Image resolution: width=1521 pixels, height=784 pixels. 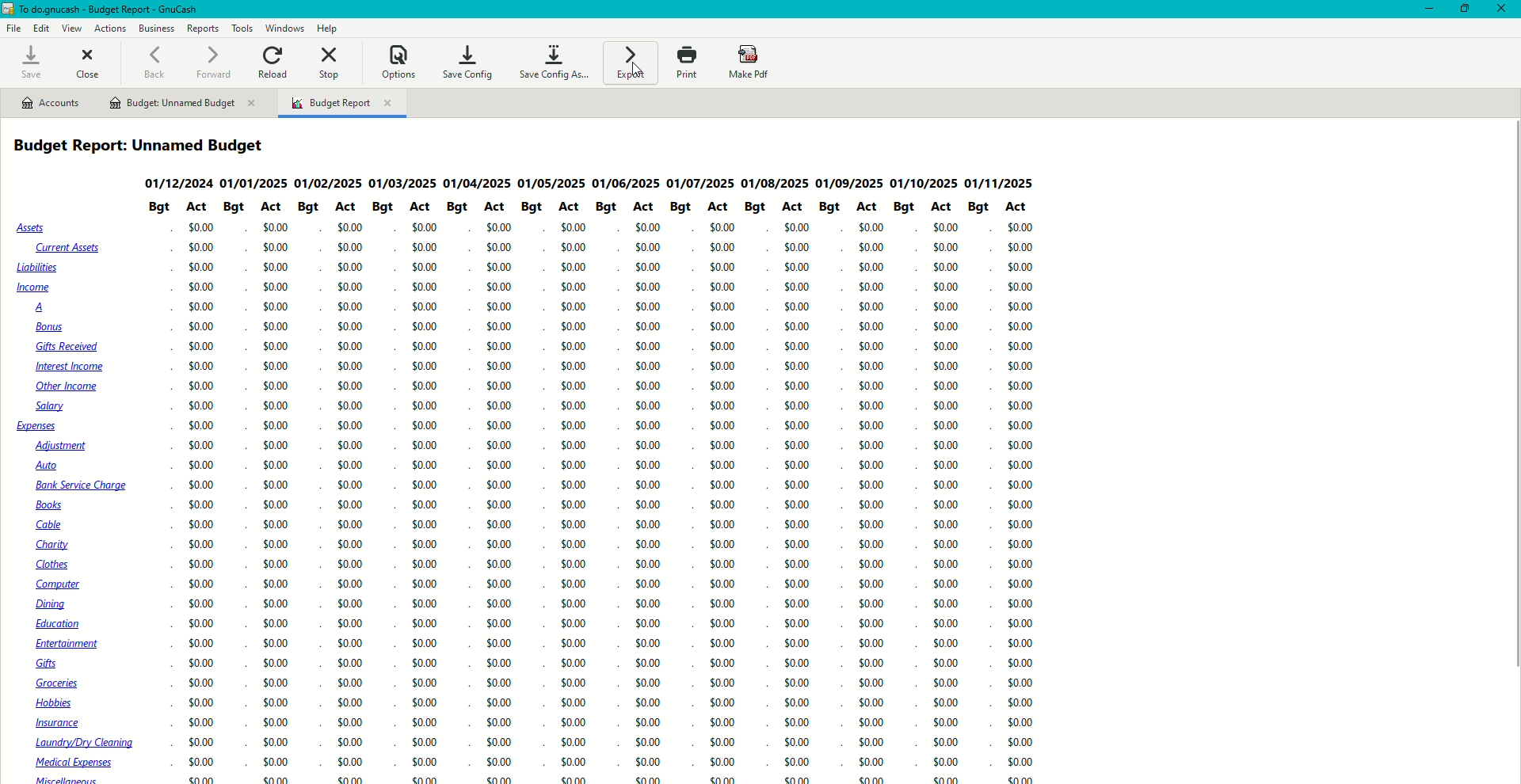 What do you see at coordinates (277, 665) in the screenshot?
I see `$0.00` at bounding box center [277, 665].